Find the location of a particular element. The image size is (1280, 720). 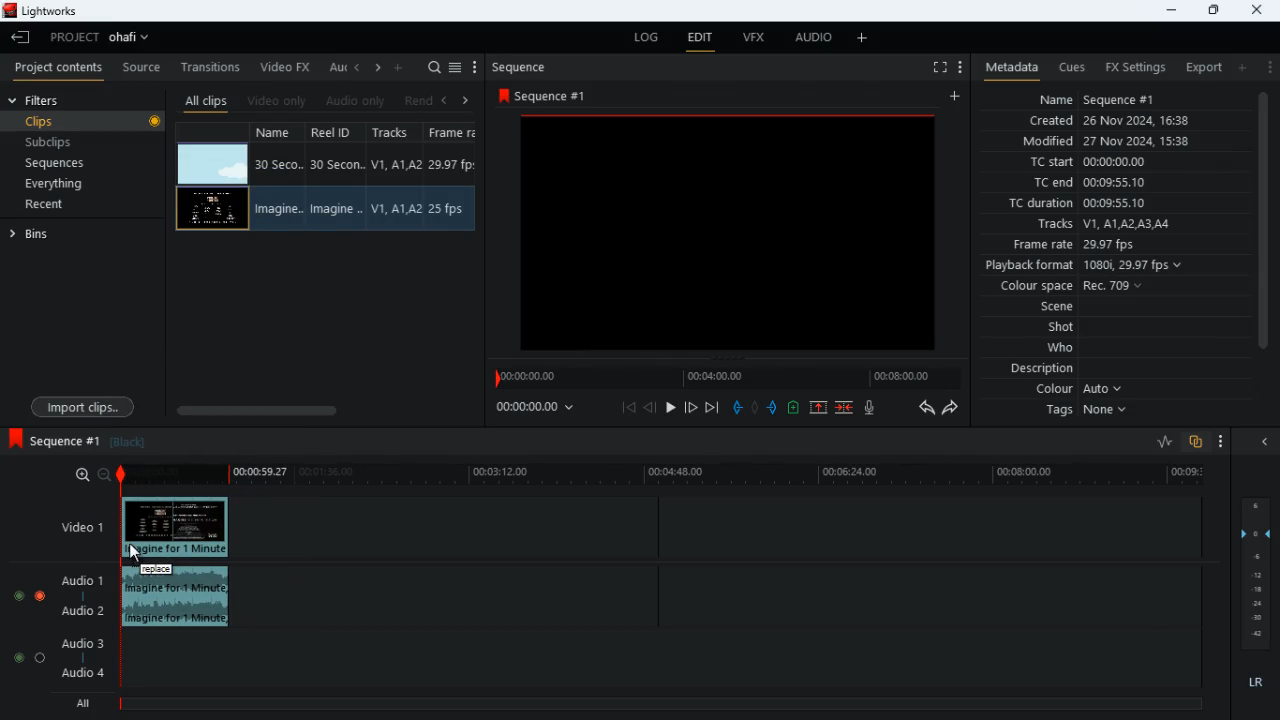

battery is located at coordinates (795, 409).